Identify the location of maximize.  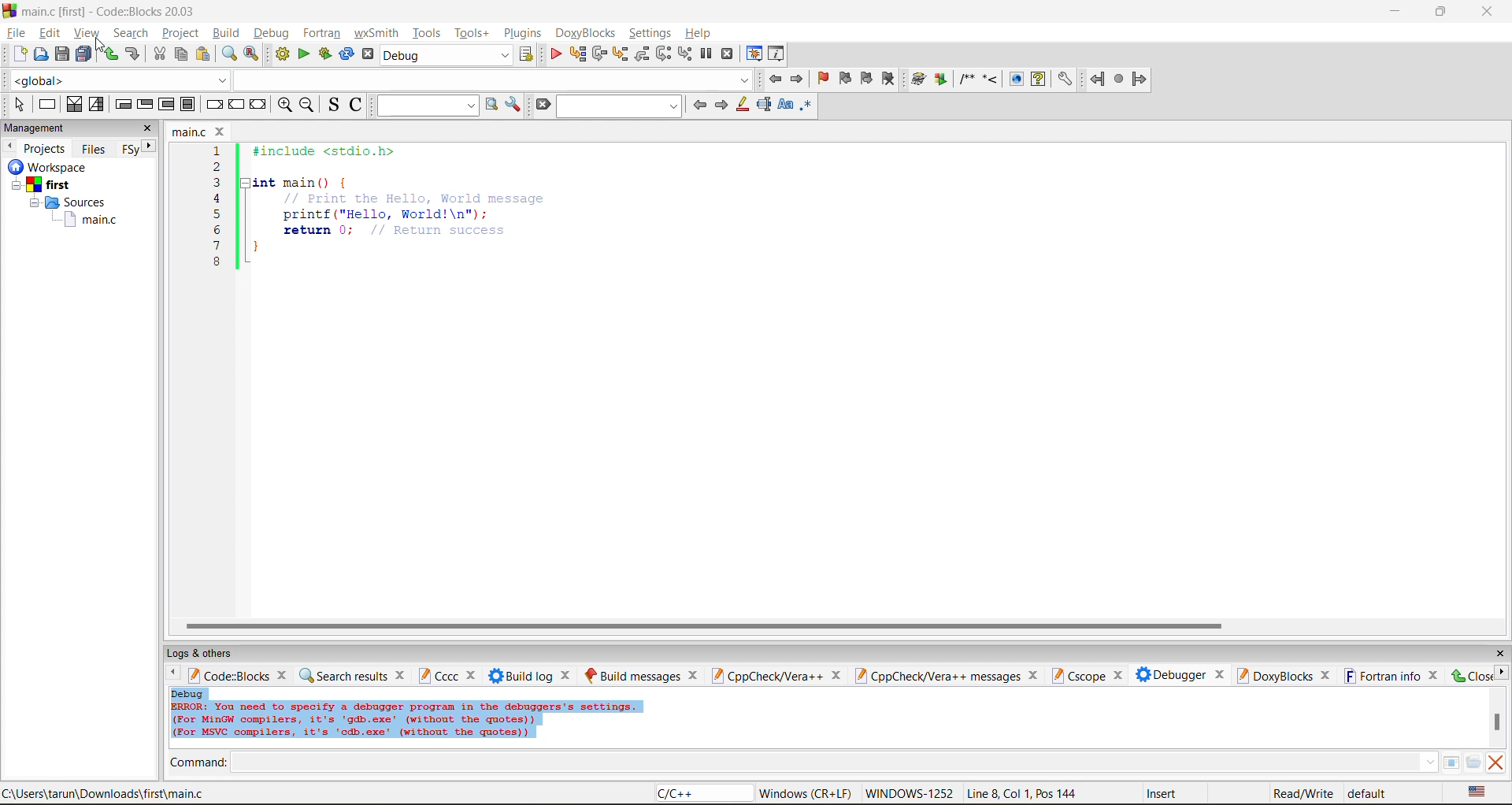
(1440, 12).